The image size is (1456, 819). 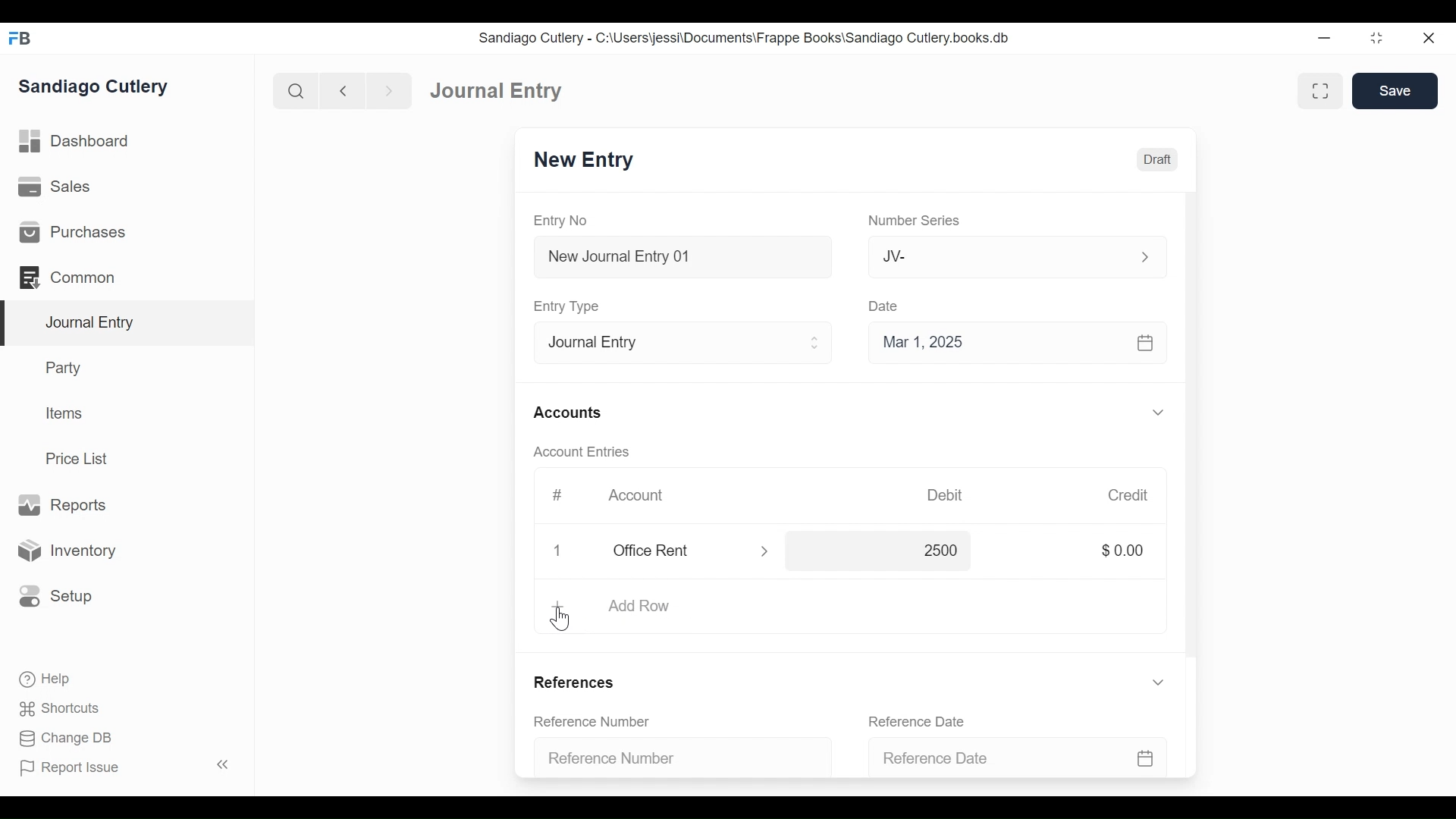 What do you see at coordinates (76, 769) in the screenshot?
I see `Report Issue` at bounding box center [76, 769].